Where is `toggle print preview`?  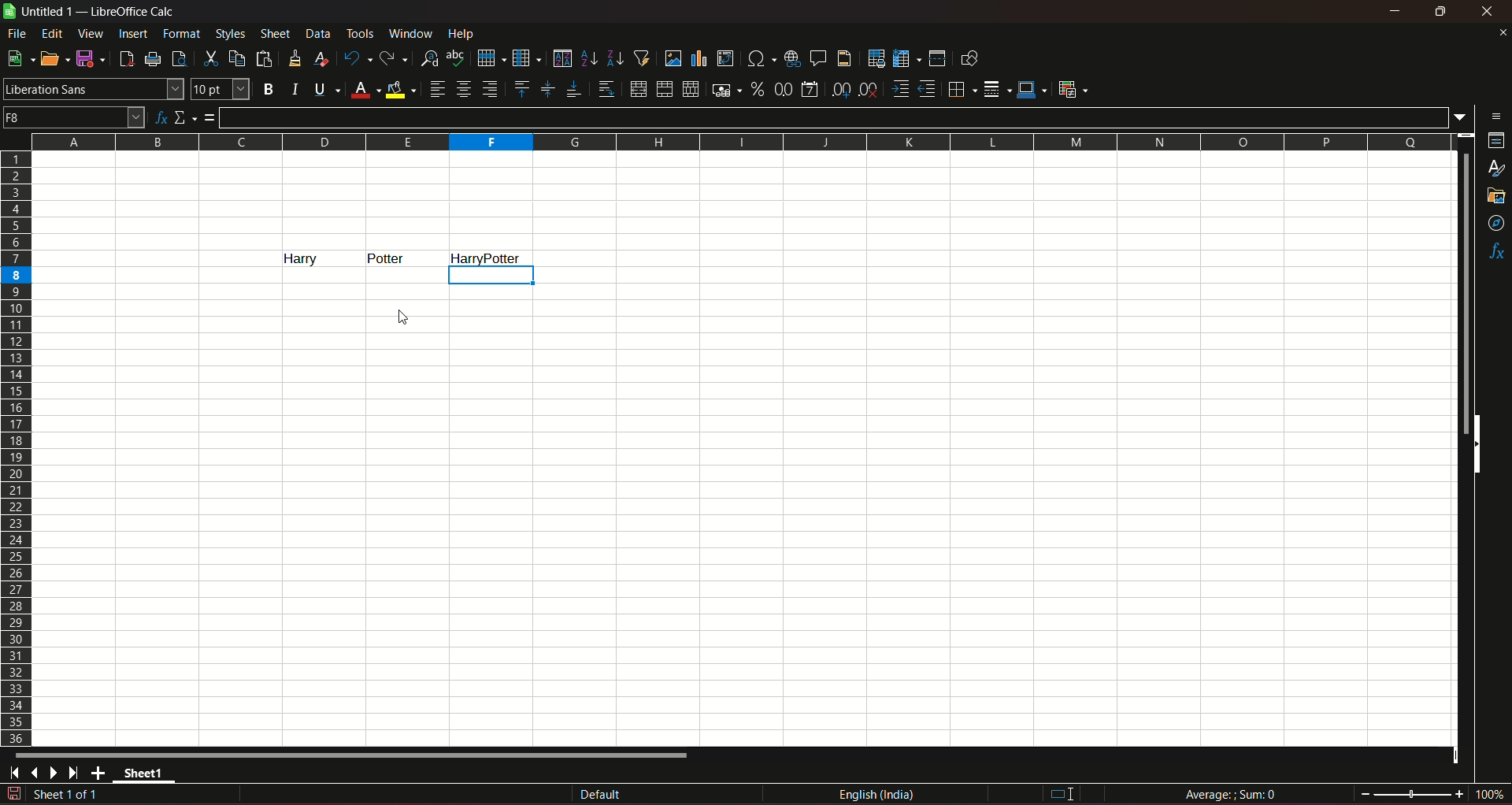
toggle print preview is located at coordinates (177, 57).